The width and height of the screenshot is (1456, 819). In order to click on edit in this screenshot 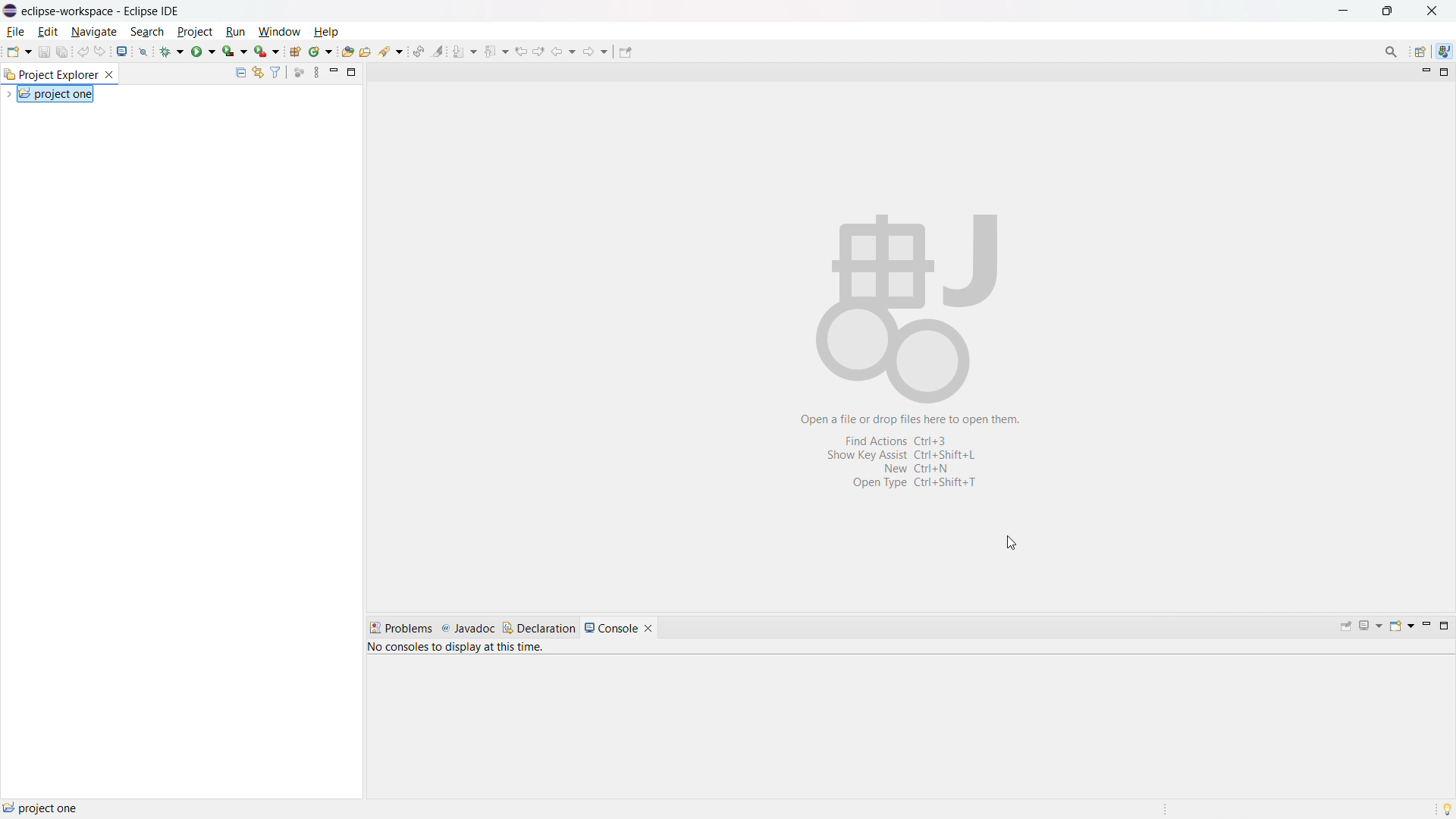, I will do `click(48, 33)`.